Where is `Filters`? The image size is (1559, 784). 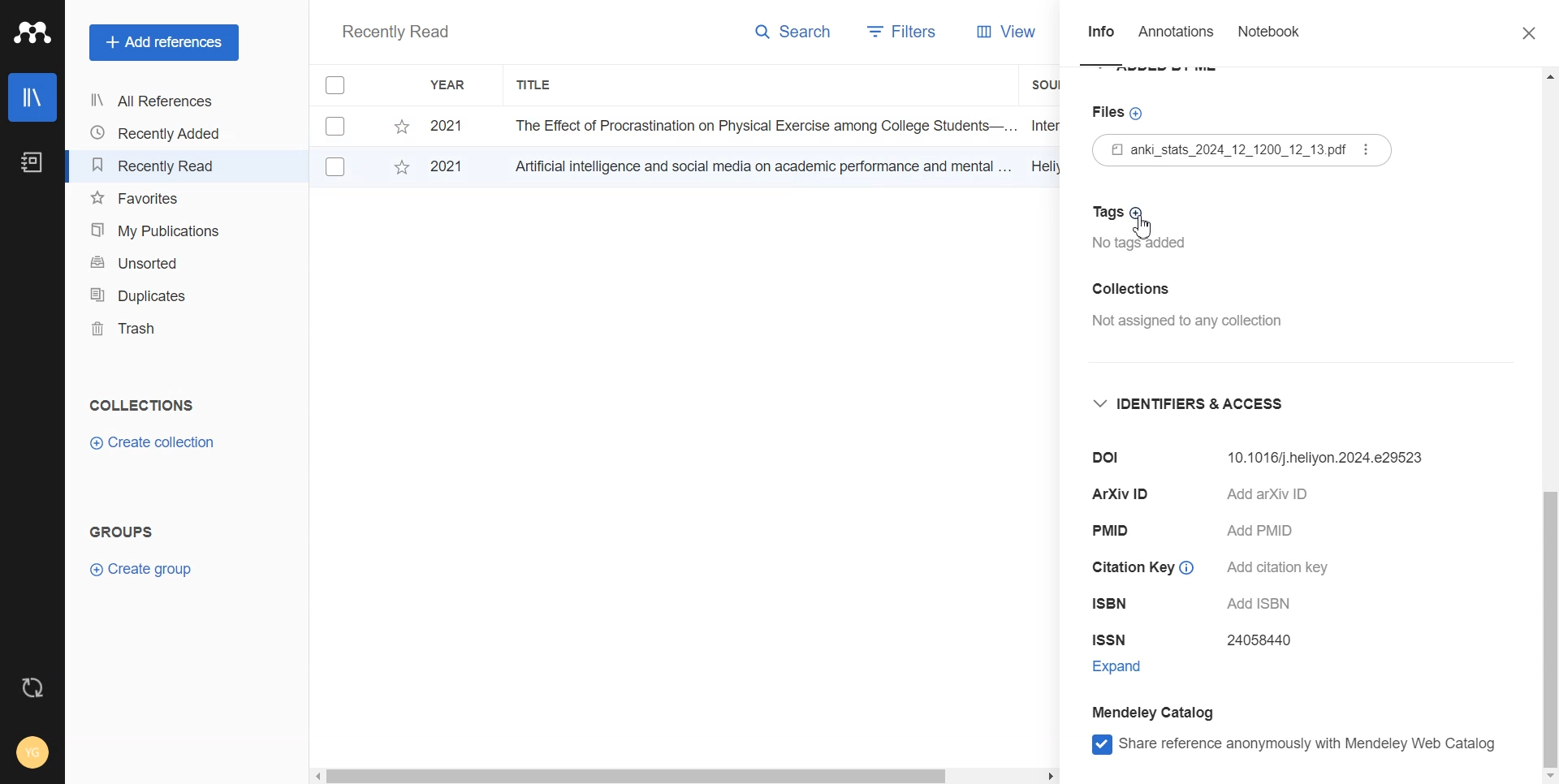
Filters is located at coordinates (896, 33).